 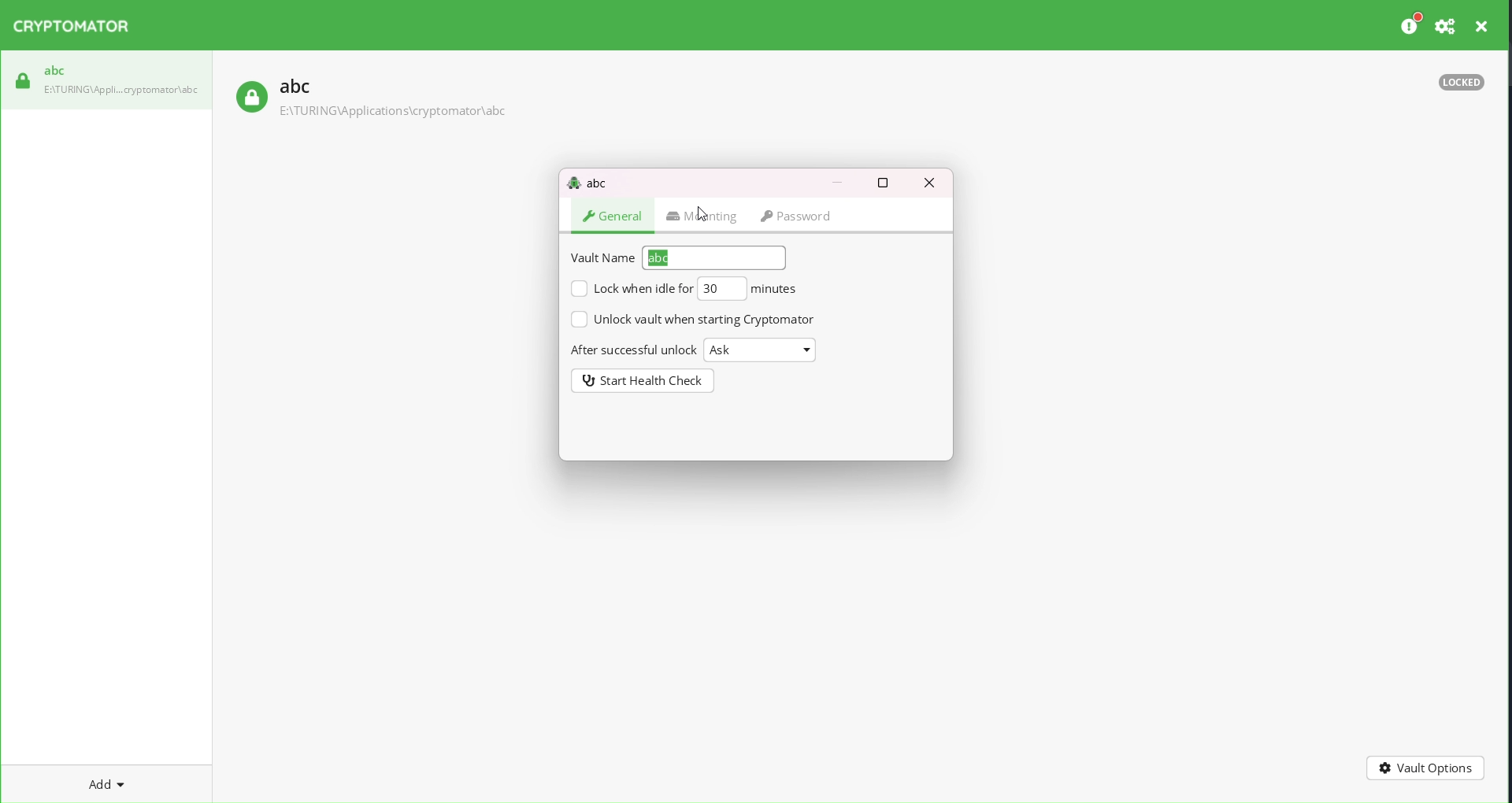 What do you see at coordinates (295, 86) in the screenshot?
I see `abc` at bounding box center [295, 86].